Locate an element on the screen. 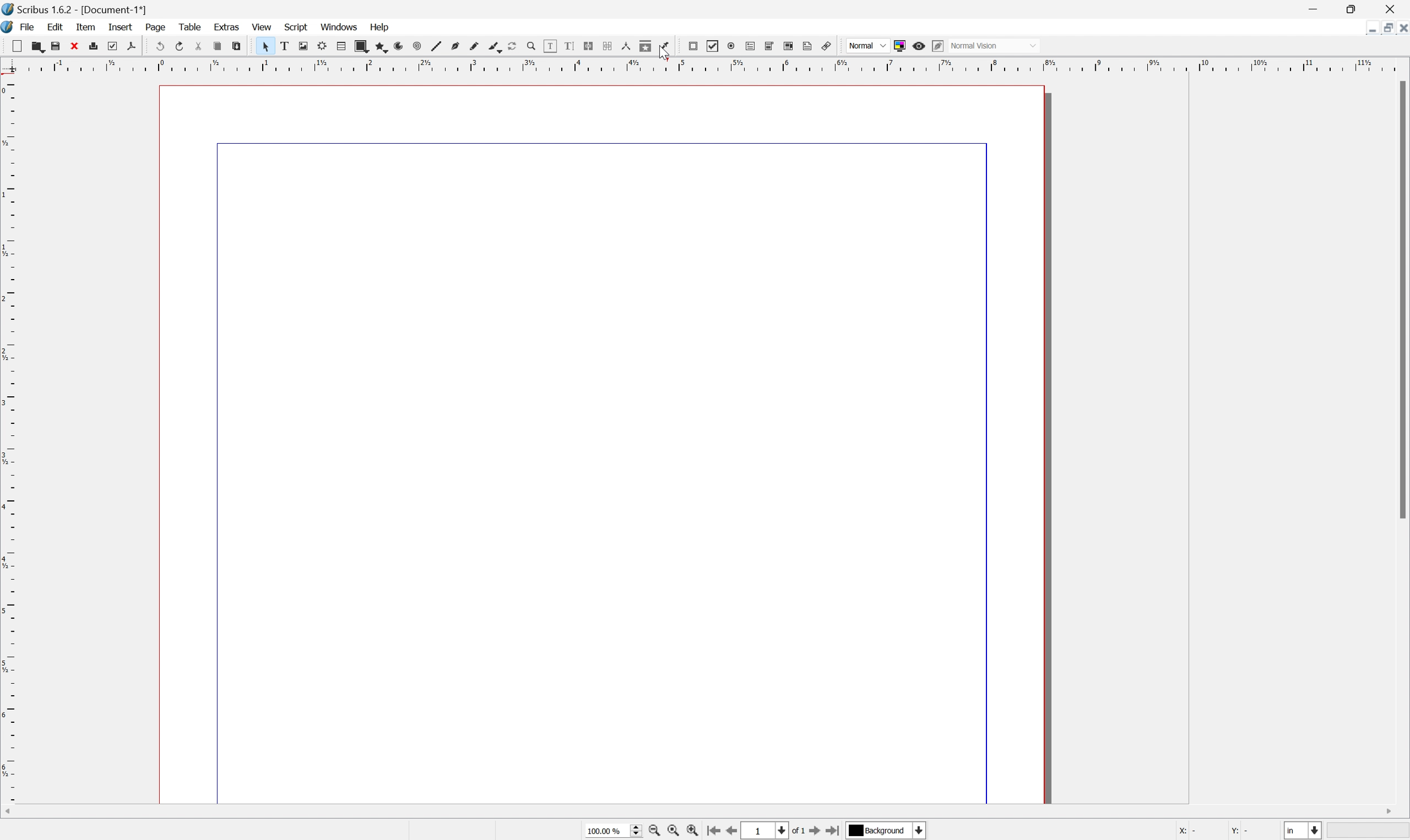  Go to next page is located at coordinates (817, 830).